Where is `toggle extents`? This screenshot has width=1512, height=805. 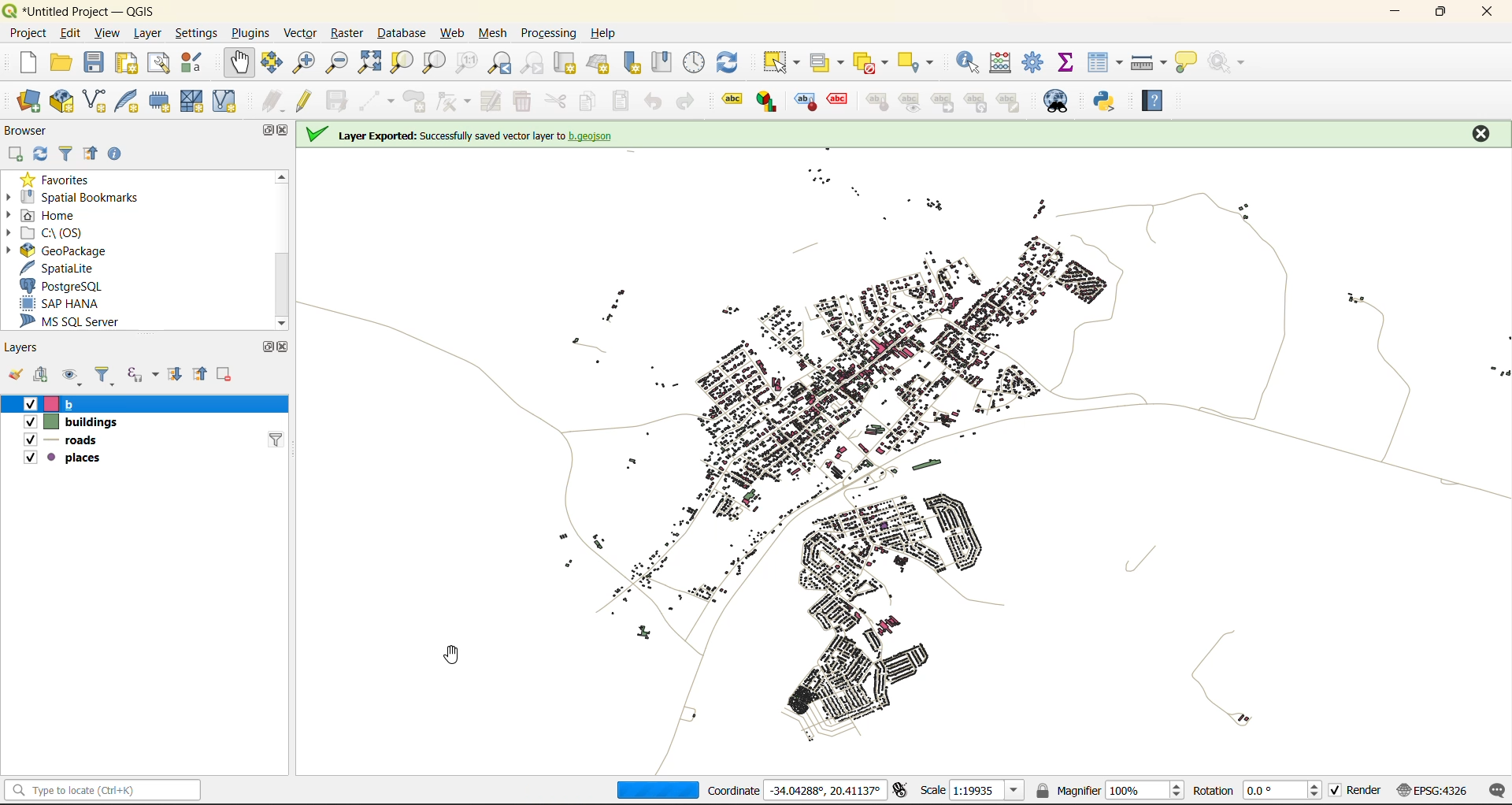
toggle extents is located at coordinates (903, 791).